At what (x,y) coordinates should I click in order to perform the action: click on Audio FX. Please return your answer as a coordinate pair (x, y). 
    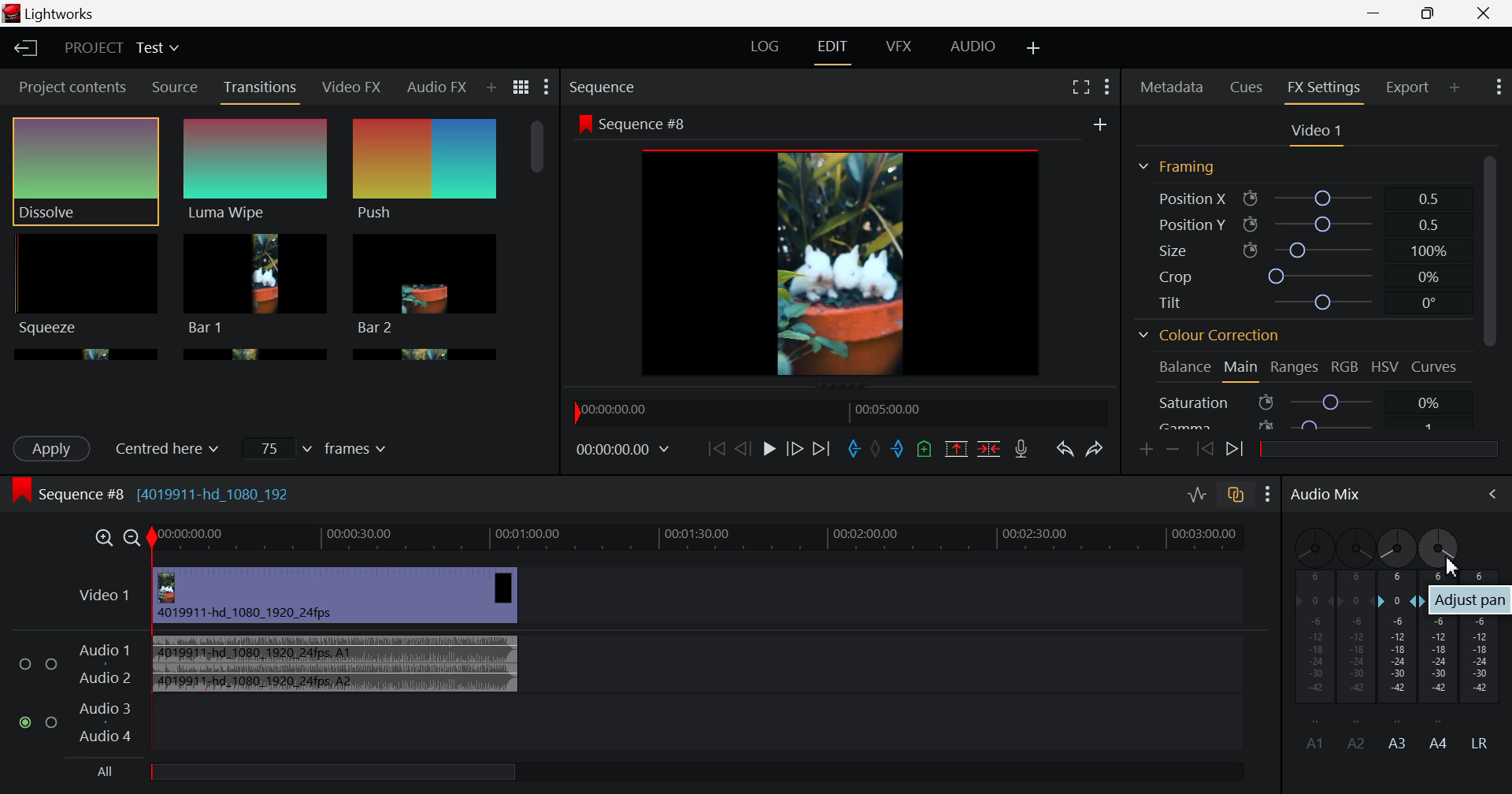
    Looking at the image, I should click on (435, 90).